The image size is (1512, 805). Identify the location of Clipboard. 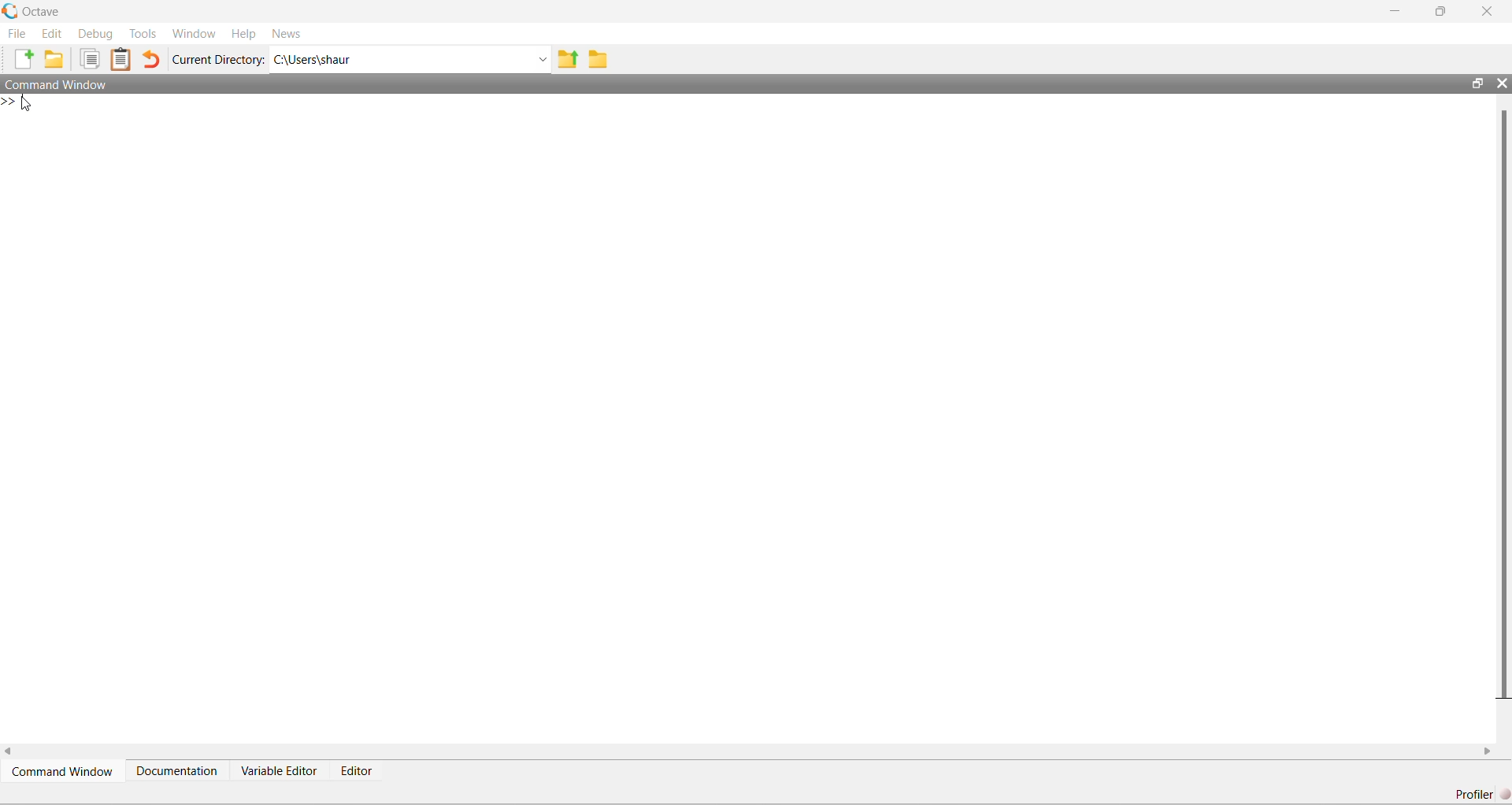
(120, 60).